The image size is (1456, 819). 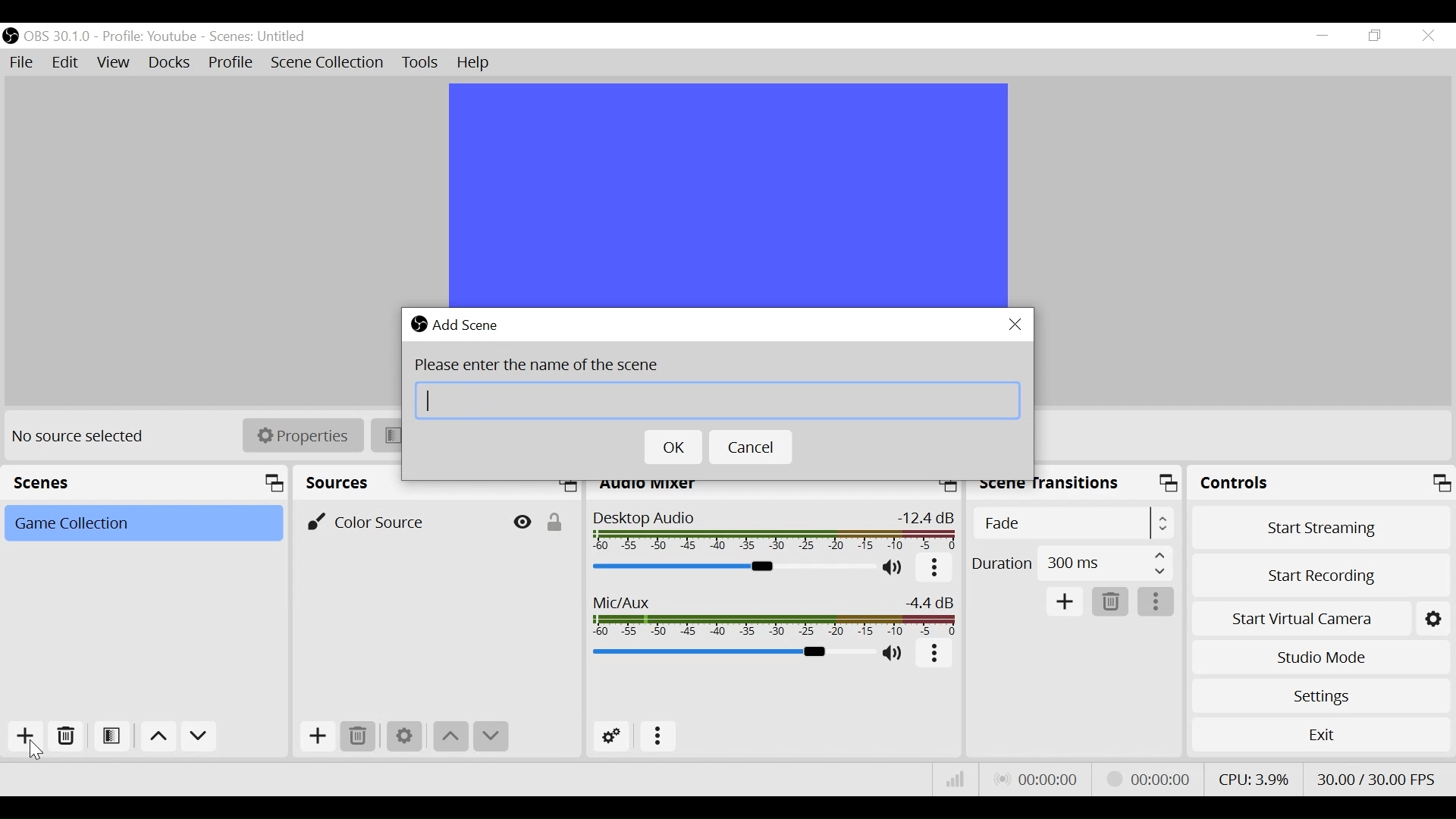 What do you see at coordinates (357, 736) in the screenshot?
I see `Delete` at bounding box center [357, 736].